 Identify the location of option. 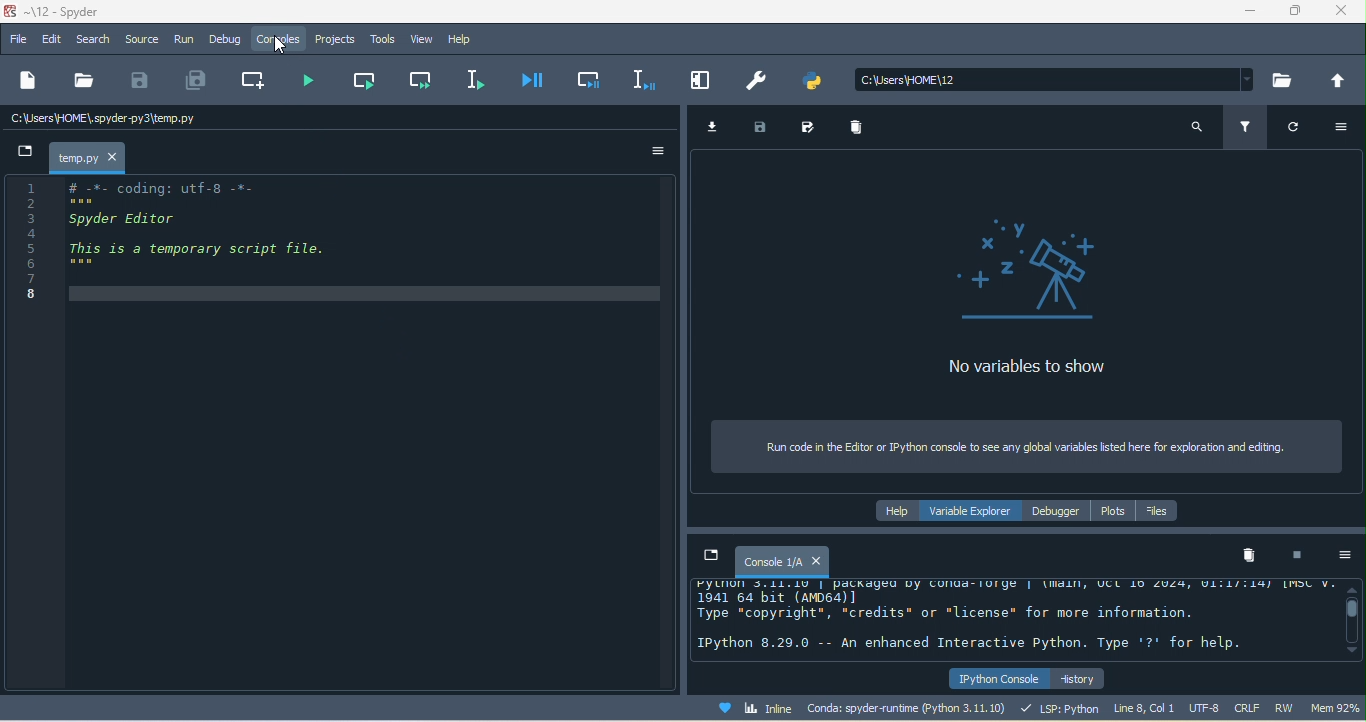
(1346, 557).